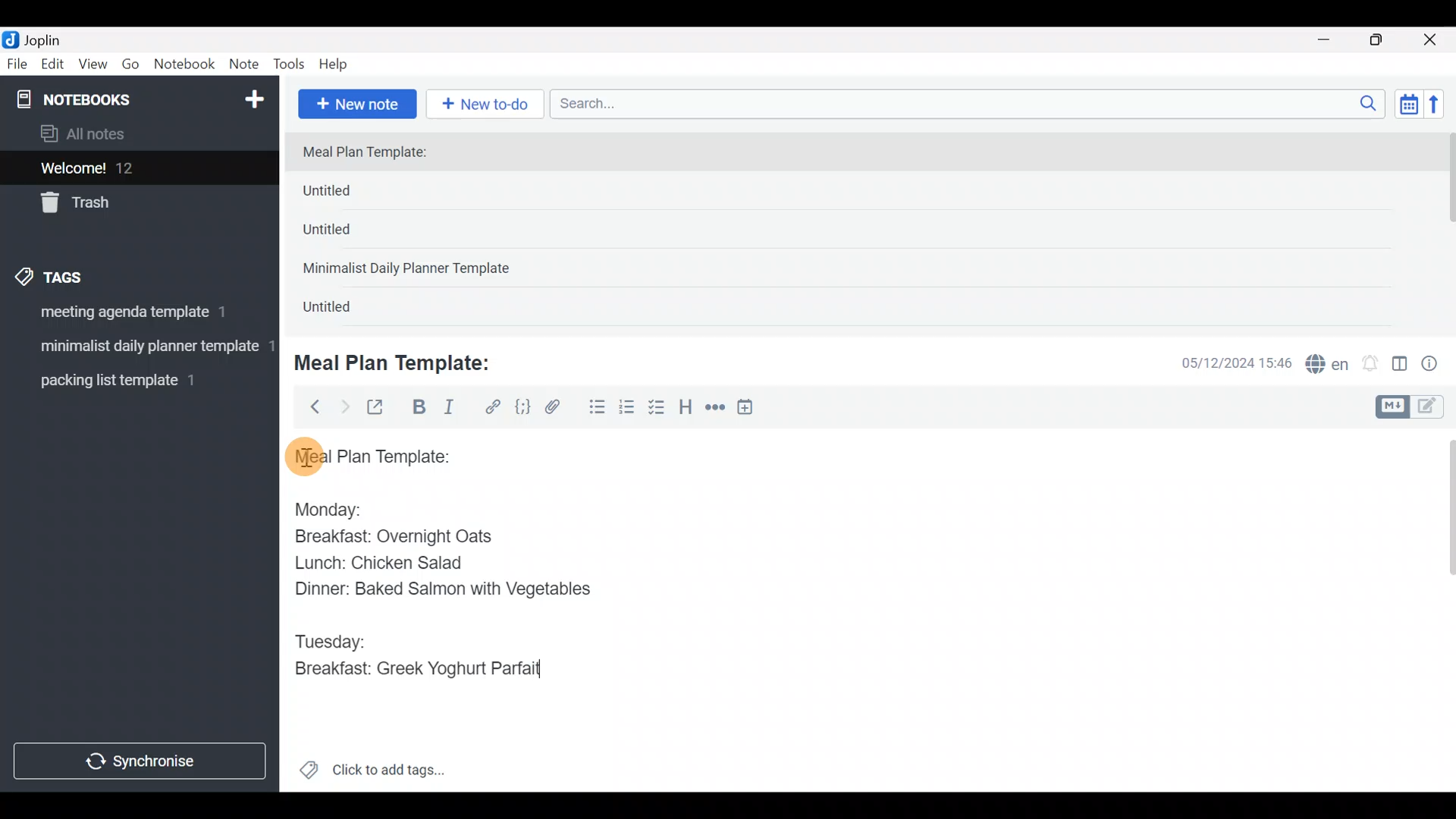  I want to click on Hyperlink, so click(493, 407).